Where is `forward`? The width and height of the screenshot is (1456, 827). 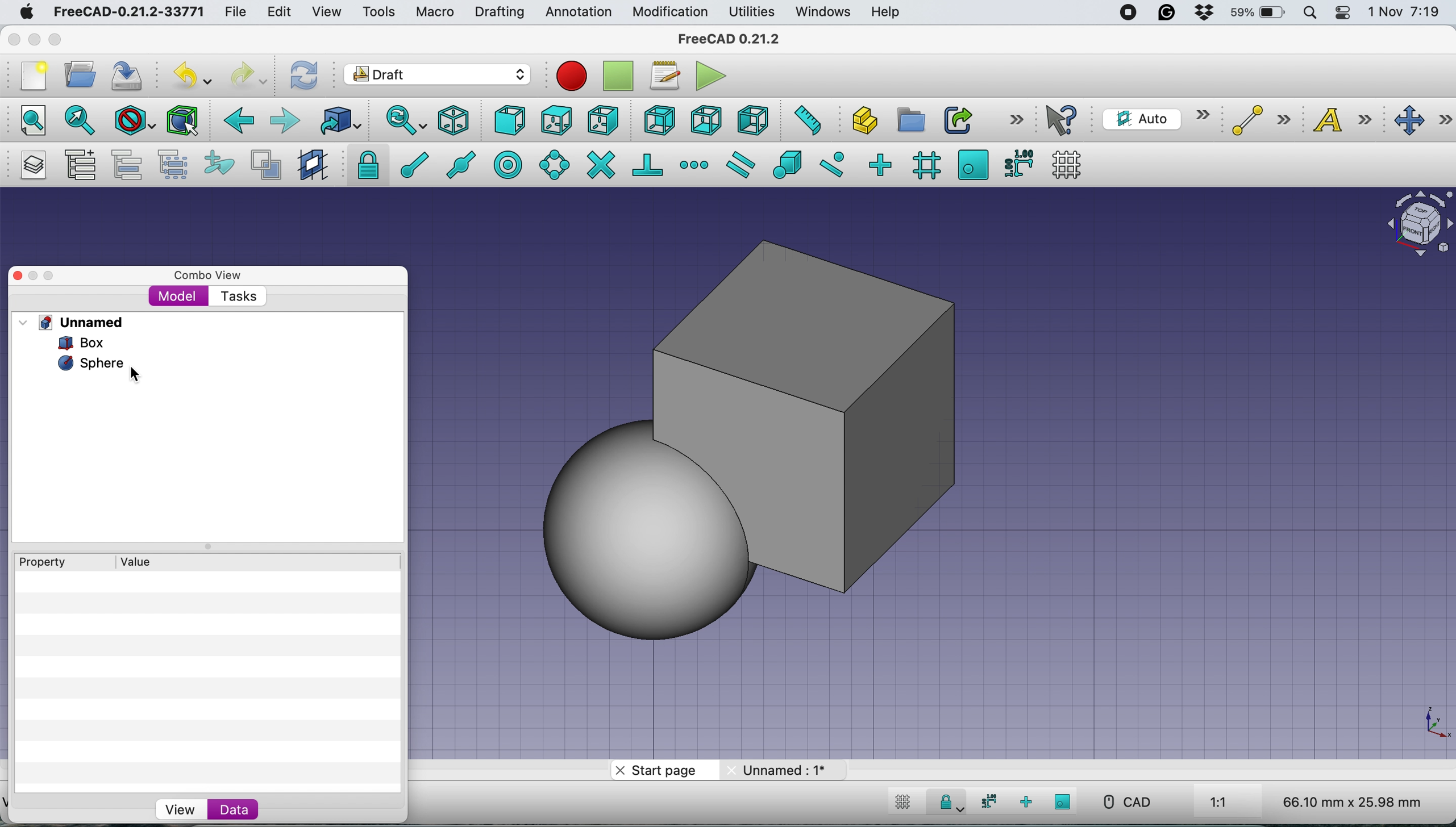 forward is located at coordinates (284, 120).